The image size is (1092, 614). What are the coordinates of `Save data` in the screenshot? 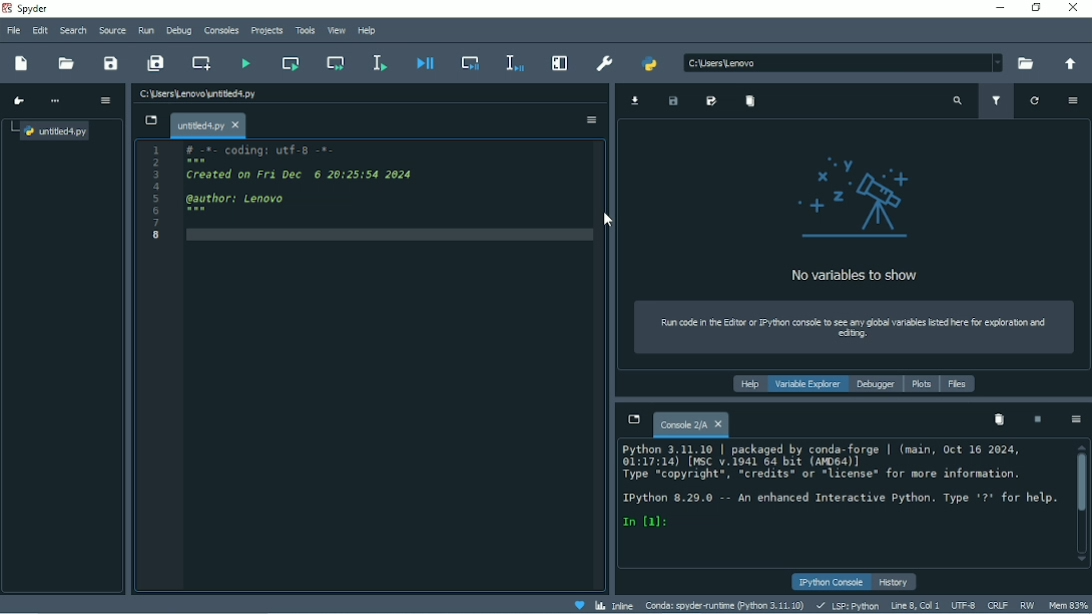 It's located at (679, 102).